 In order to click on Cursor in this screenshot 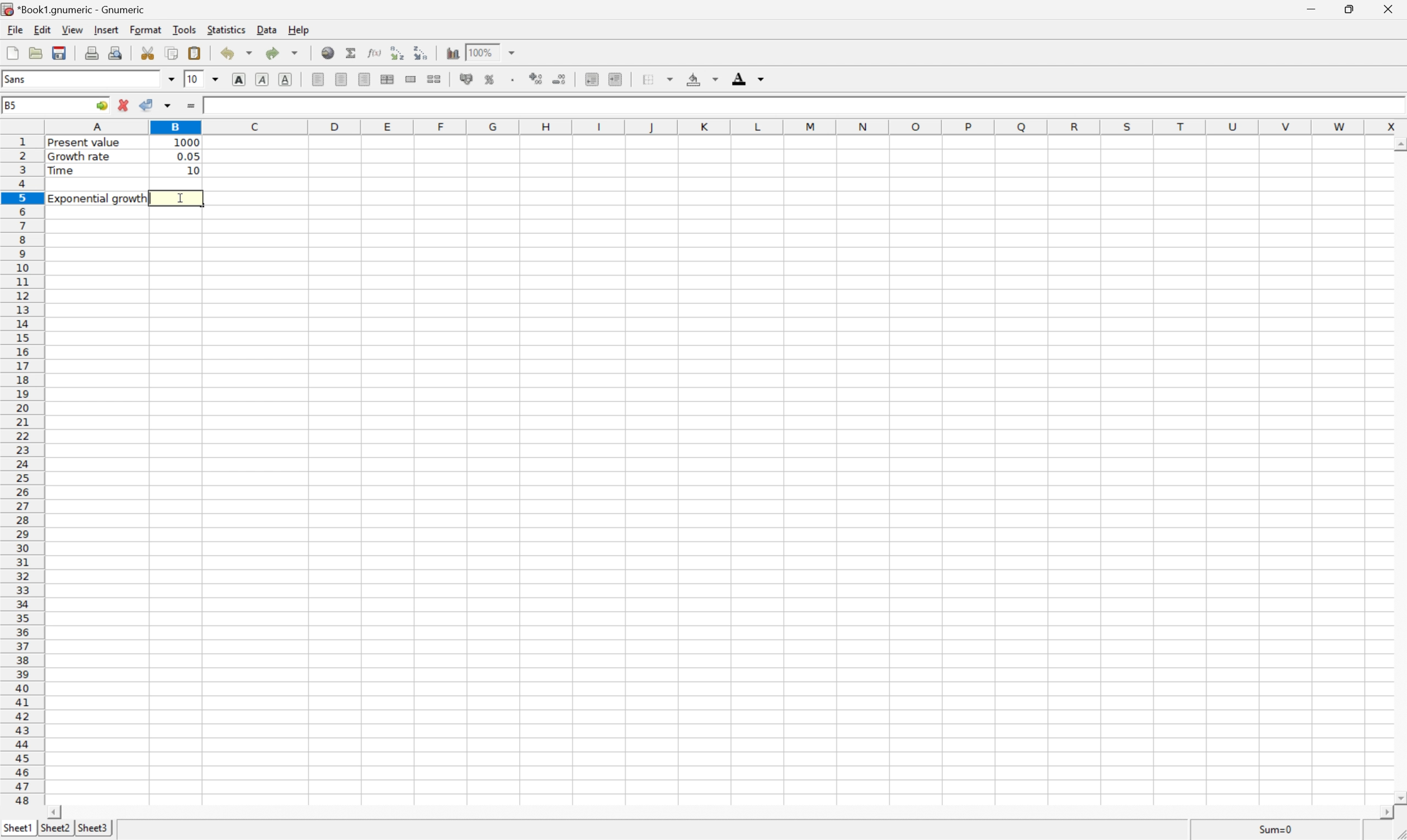, I will do `click(181, 199)`.